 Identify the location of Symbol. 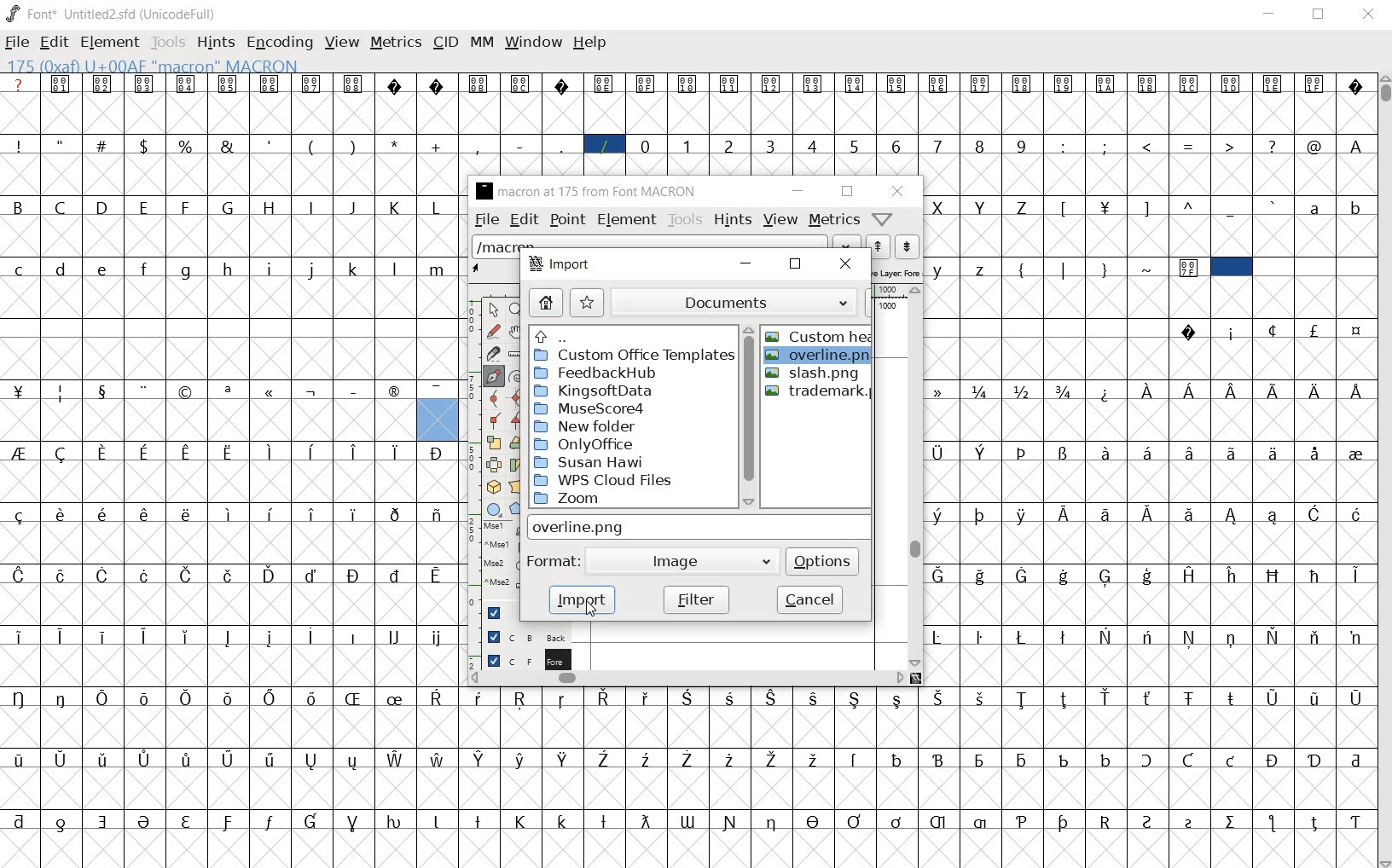
(937, 451).